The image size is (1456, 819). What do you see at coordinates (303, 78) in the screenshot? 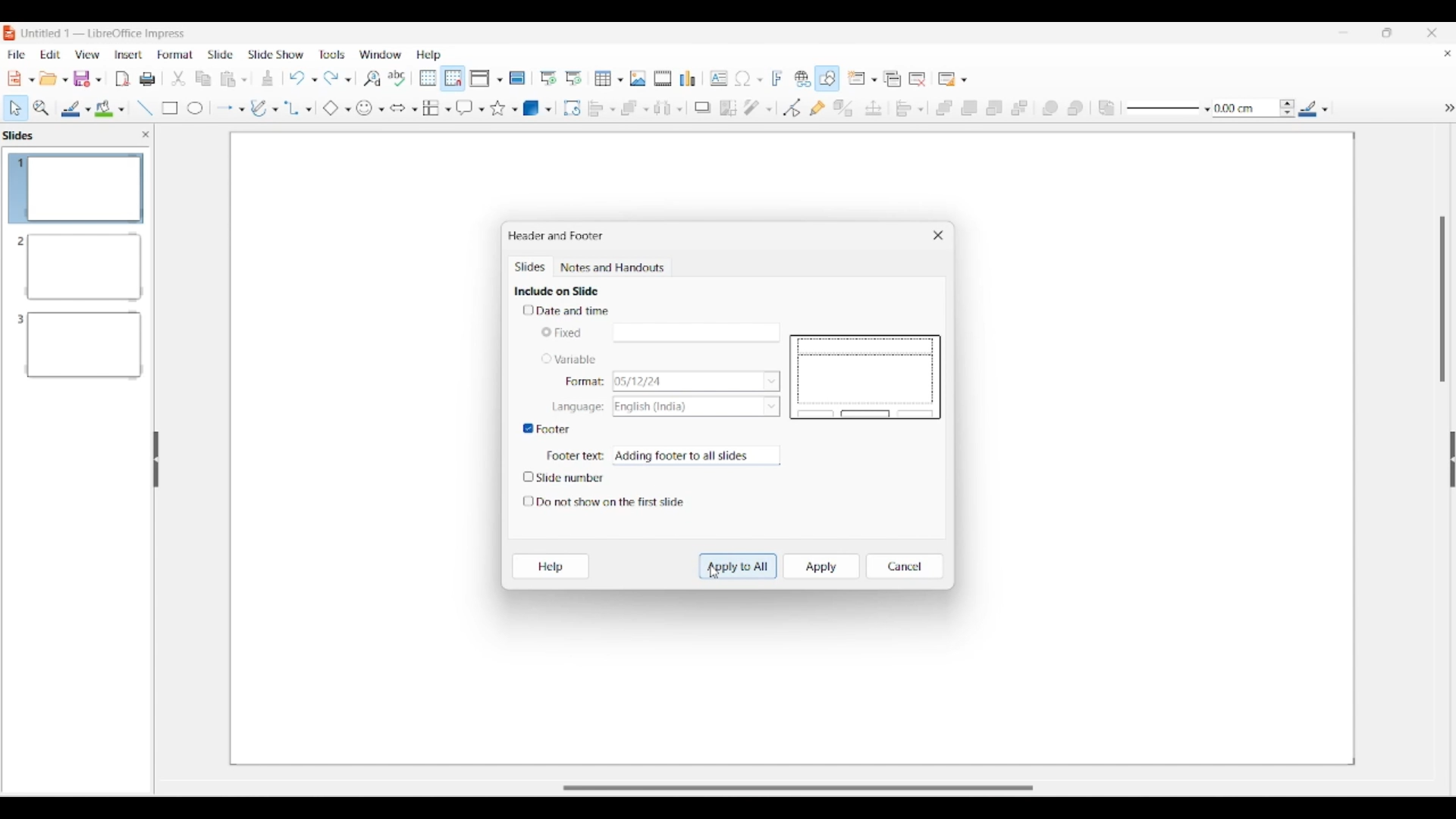
I see `Undo options` at bounding box center [303, 78].